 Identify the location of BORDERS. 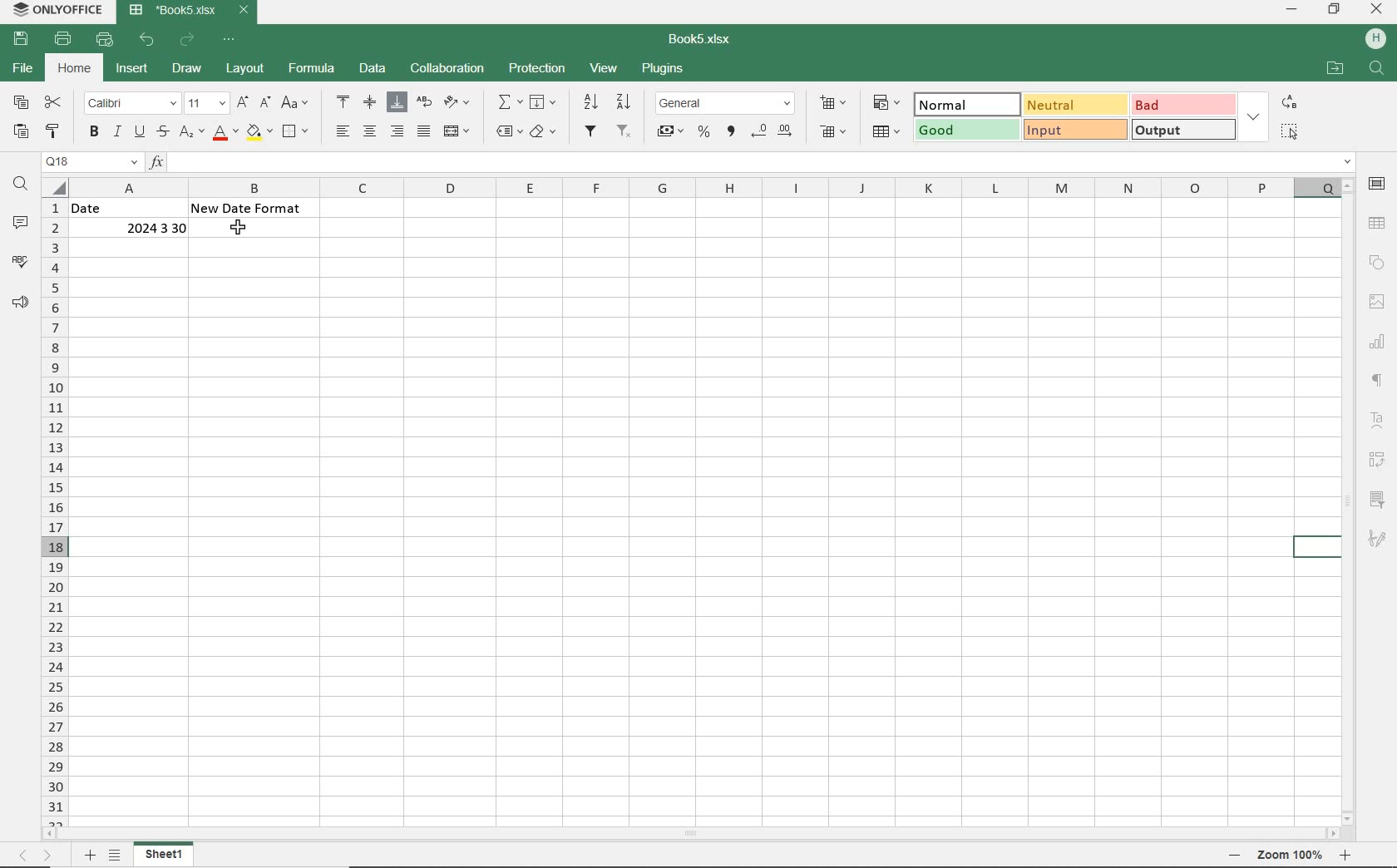
(298, 131).